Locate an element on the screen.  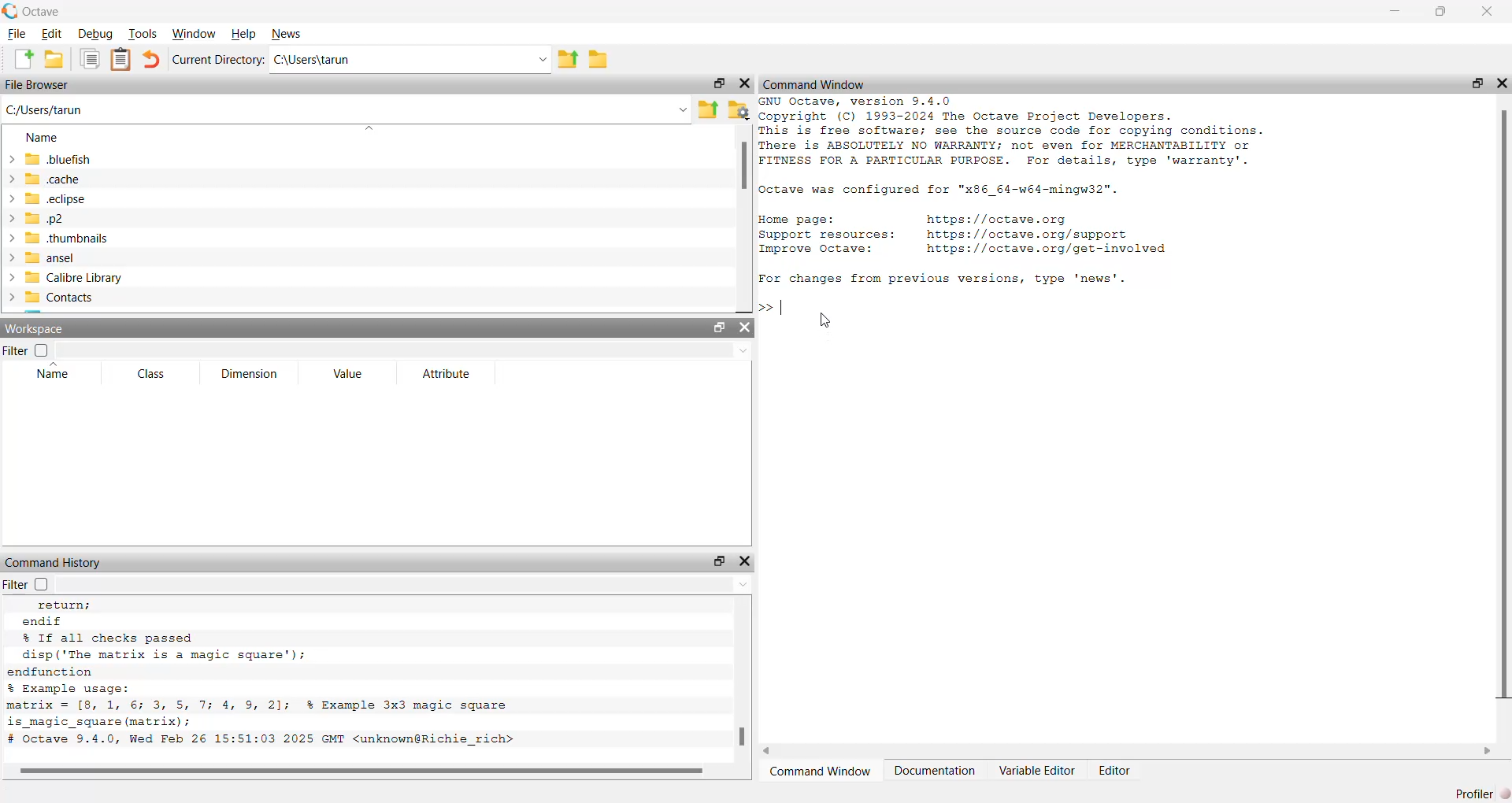
Command Window is located at coordinates (814, 86).